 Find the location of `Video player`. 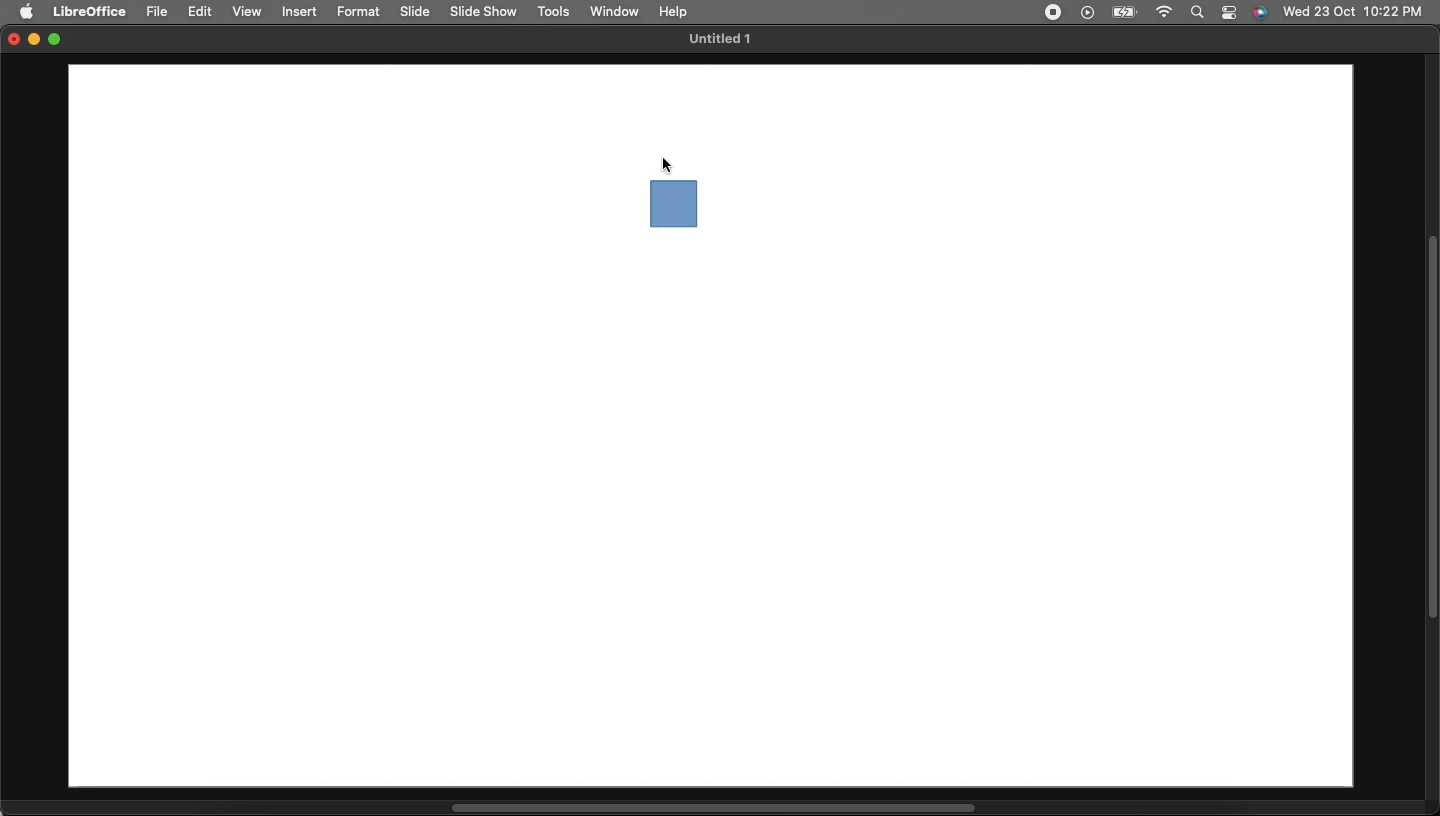

Video player is located at coordinates (1085, 13).